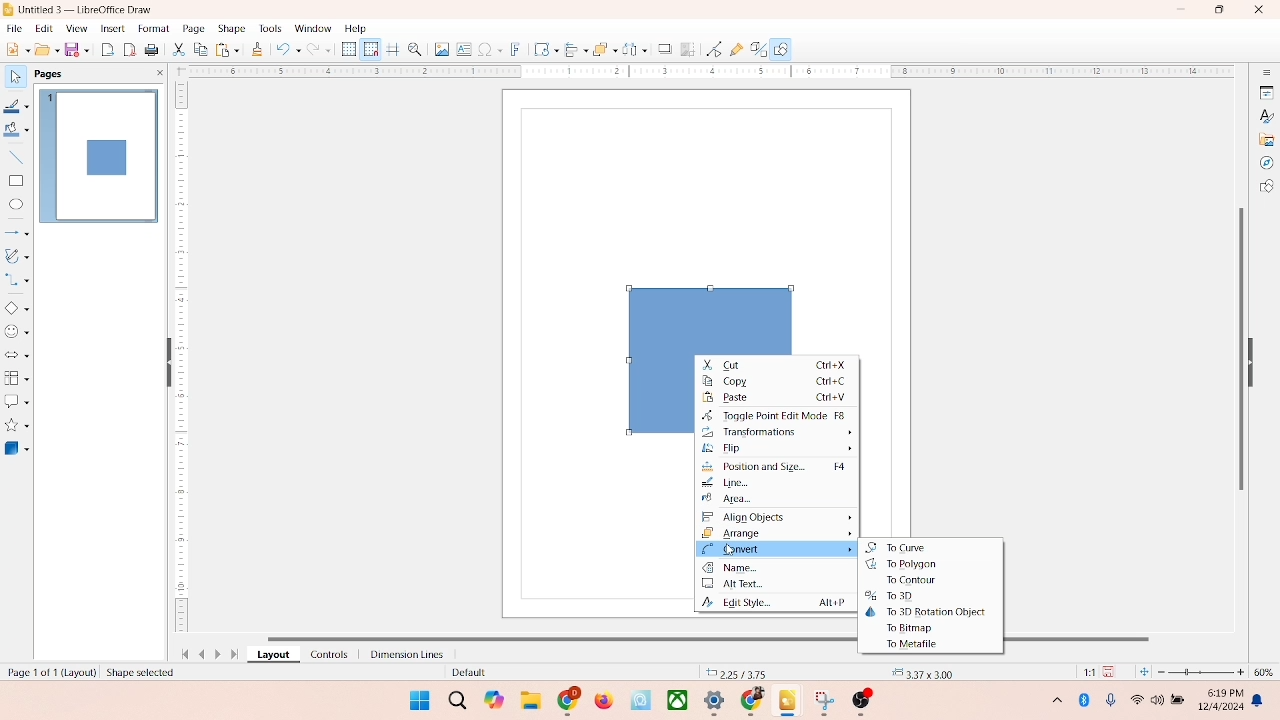 The image size is (1280, 720). What do you see at coordinates (780, 448) in the screenshot?
I see `flip` at bounding box center [780, 448].